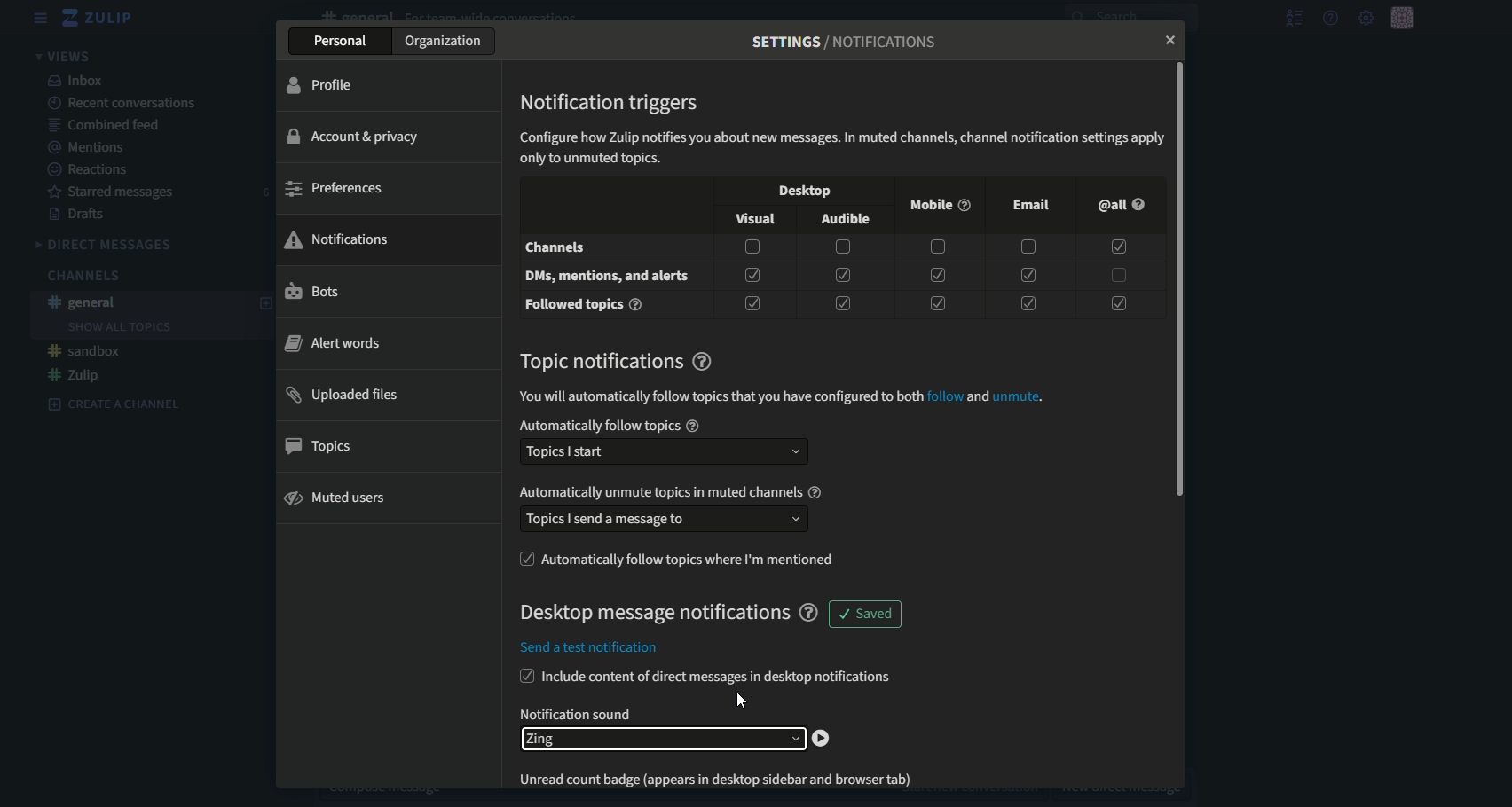 Image resolution: width=1512 pixels, height=807 pixels. Describe the element at coordinates (1032, 204) in the screenshot. I see `email` at that location.